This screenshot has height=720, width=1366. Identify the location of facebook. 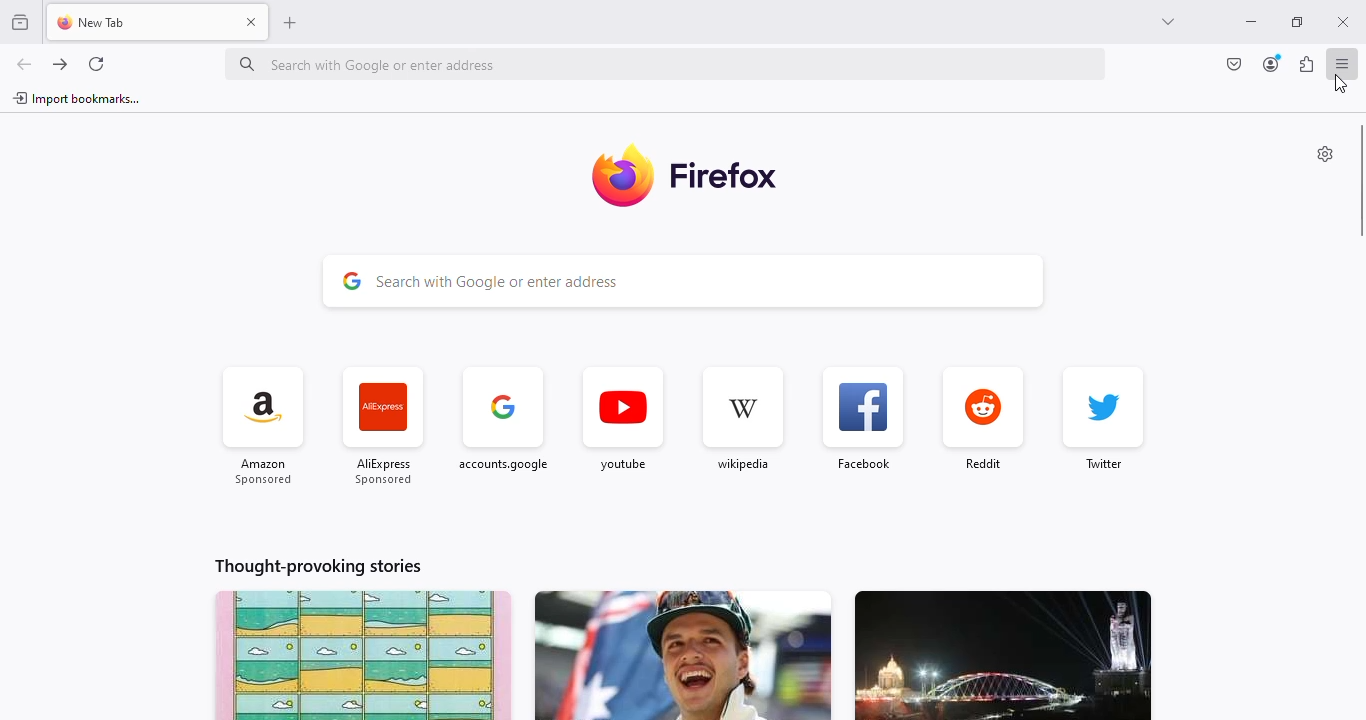
(862, 420).